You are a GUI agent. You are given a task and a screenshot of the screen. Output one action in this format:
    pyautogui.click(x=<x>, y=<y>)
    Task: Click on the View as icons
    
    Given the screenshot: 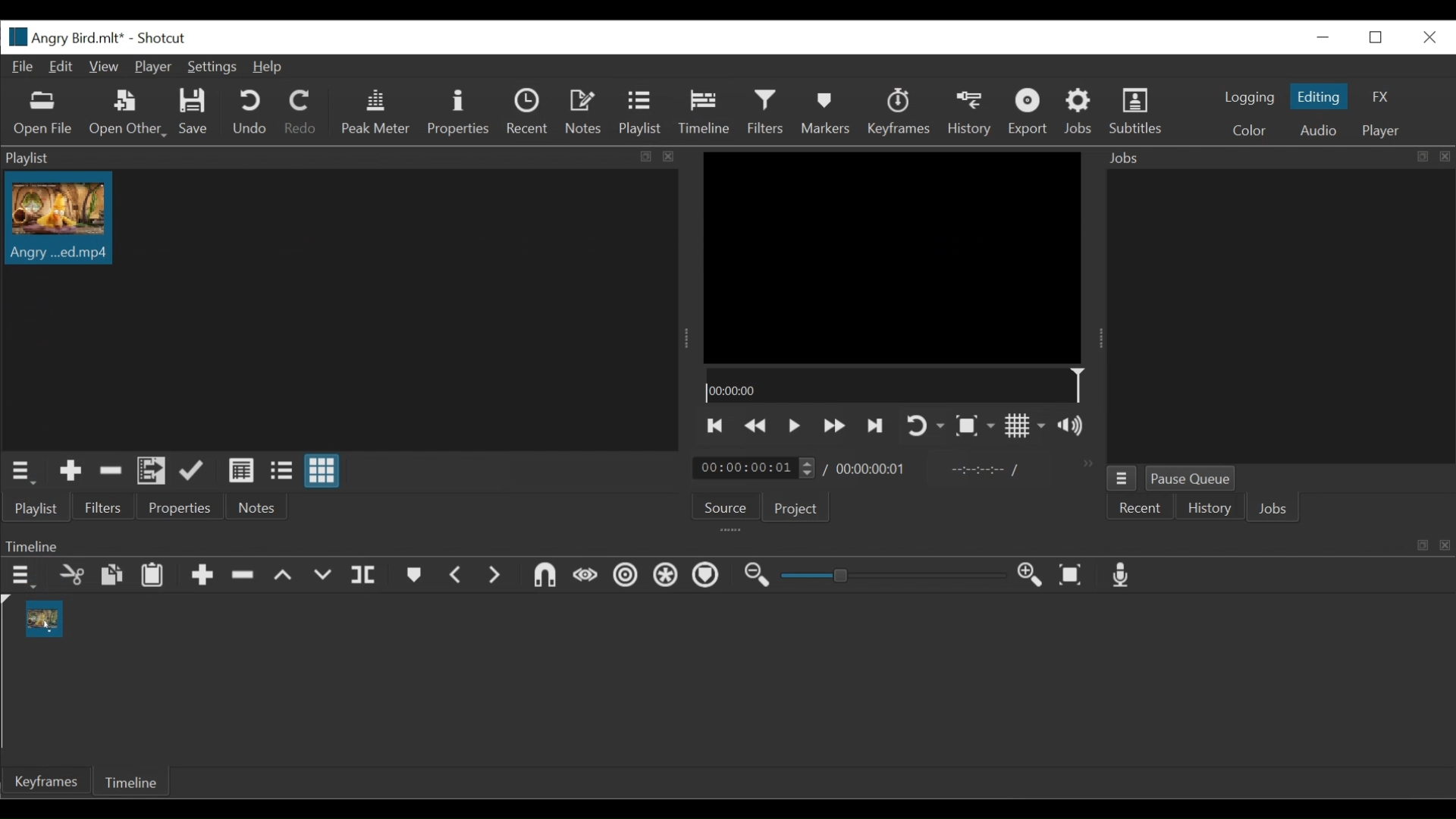 What is the action you would take?
    pyautogui.click(x=321, y=472)
    